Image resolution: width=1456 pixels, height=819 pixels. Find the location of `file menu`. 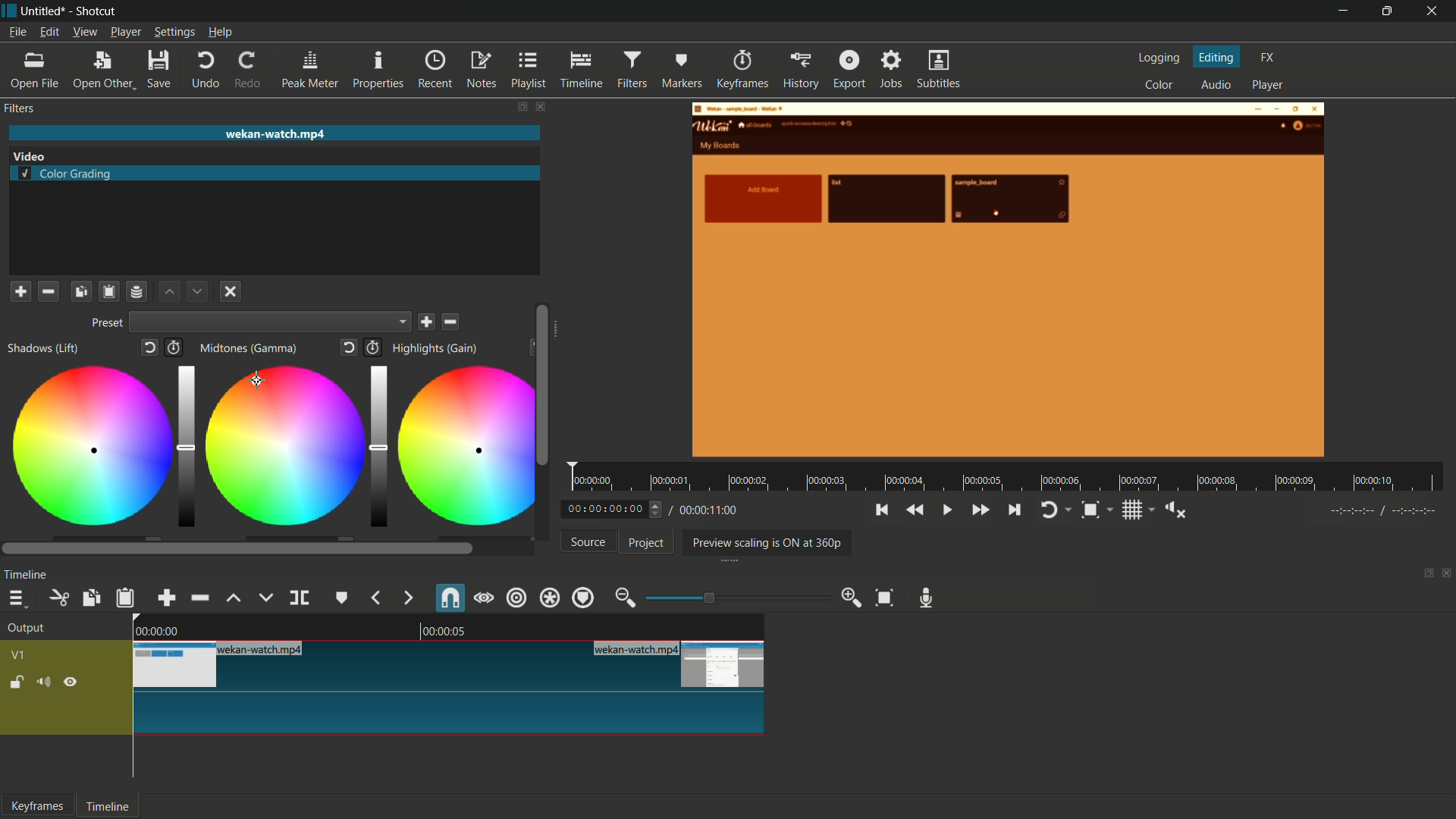

file menu is located at coordinates (17, 32).